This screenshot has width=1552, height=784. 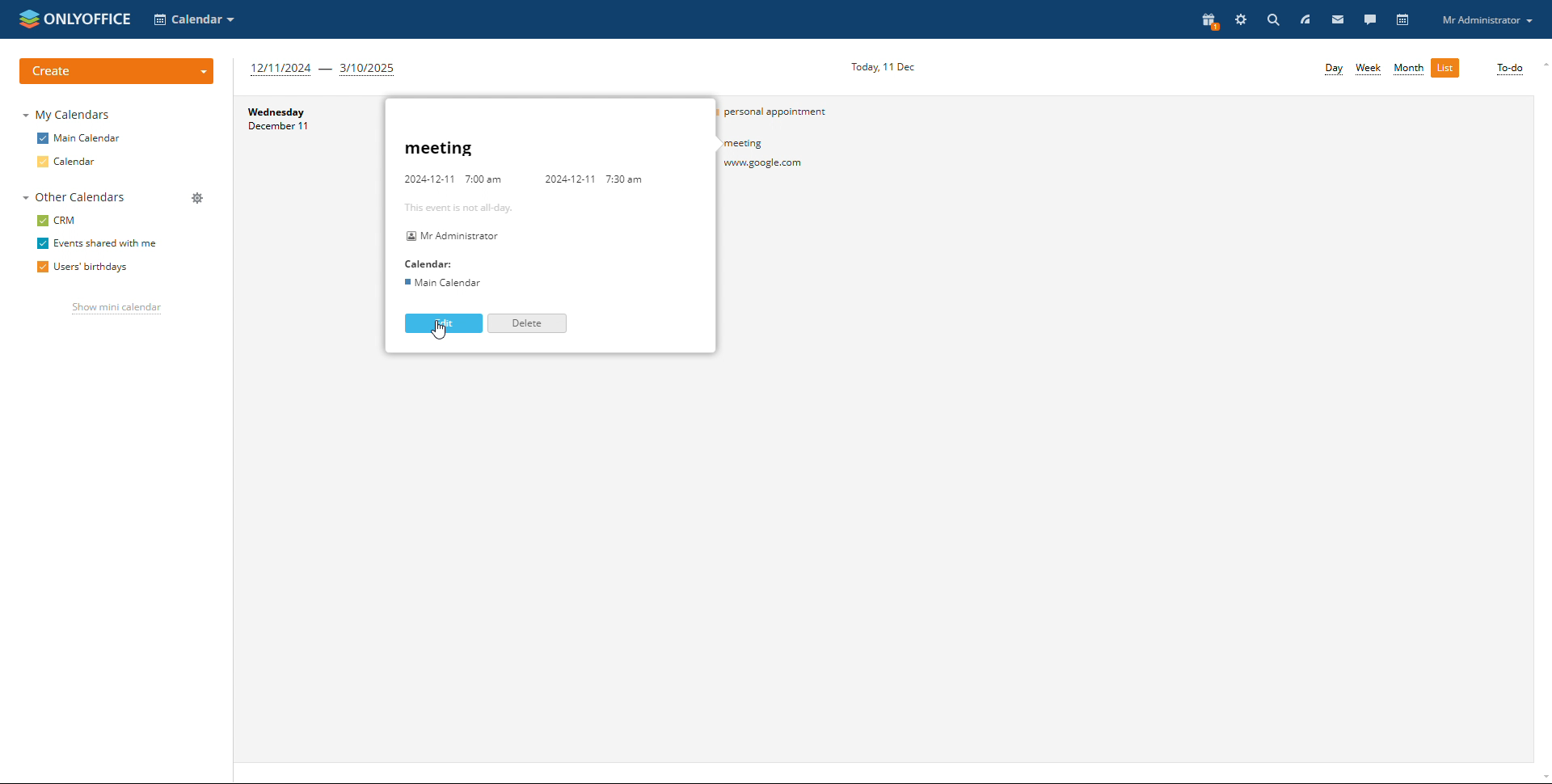 What do you see at coordinates (1370, 20) in the screenshot?
I see `talk` at bounding box center [1370, 20].